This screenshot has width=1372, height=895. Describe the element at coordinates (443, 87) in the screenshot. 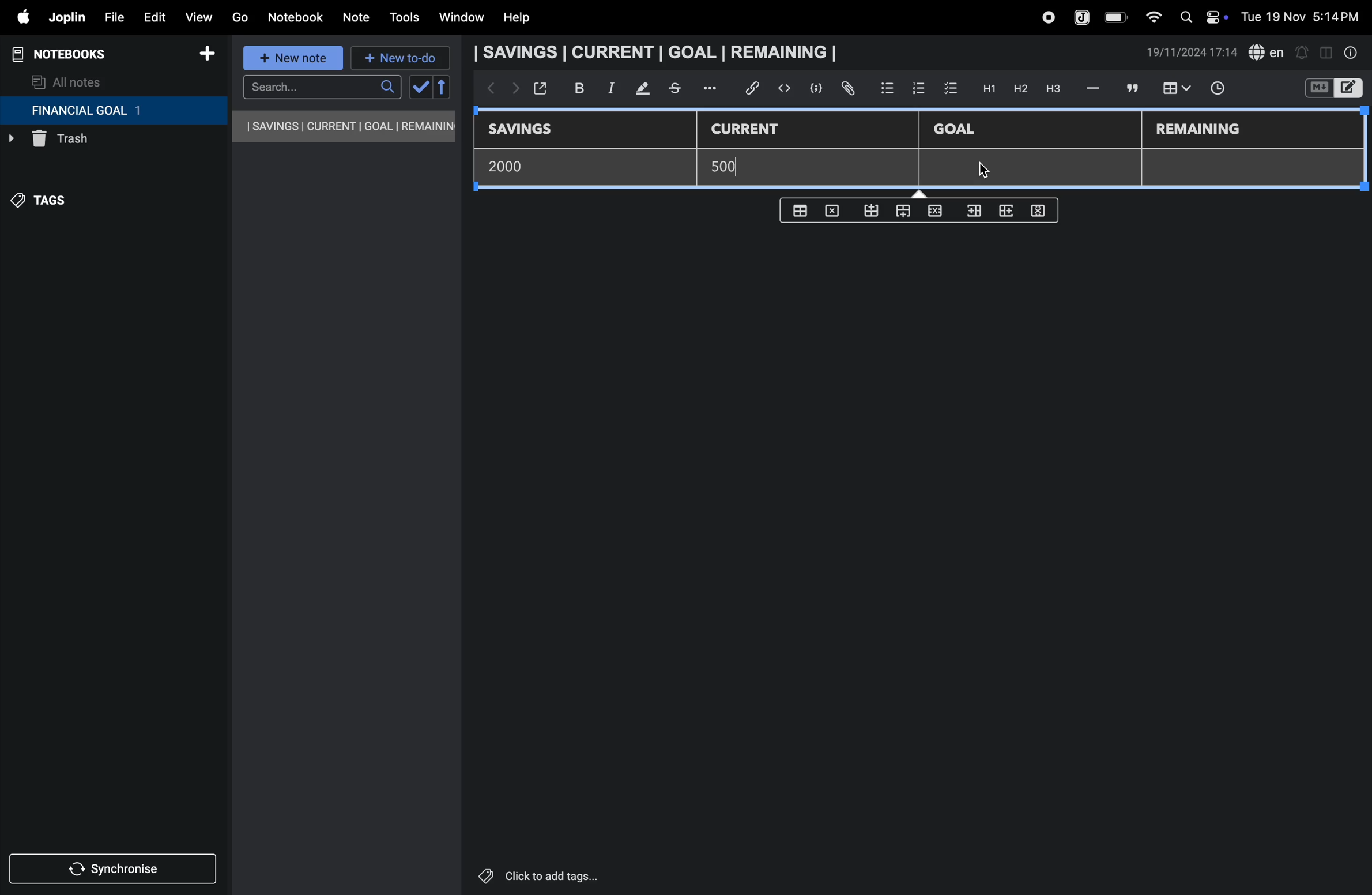

I see `reverse sort order` at that location.